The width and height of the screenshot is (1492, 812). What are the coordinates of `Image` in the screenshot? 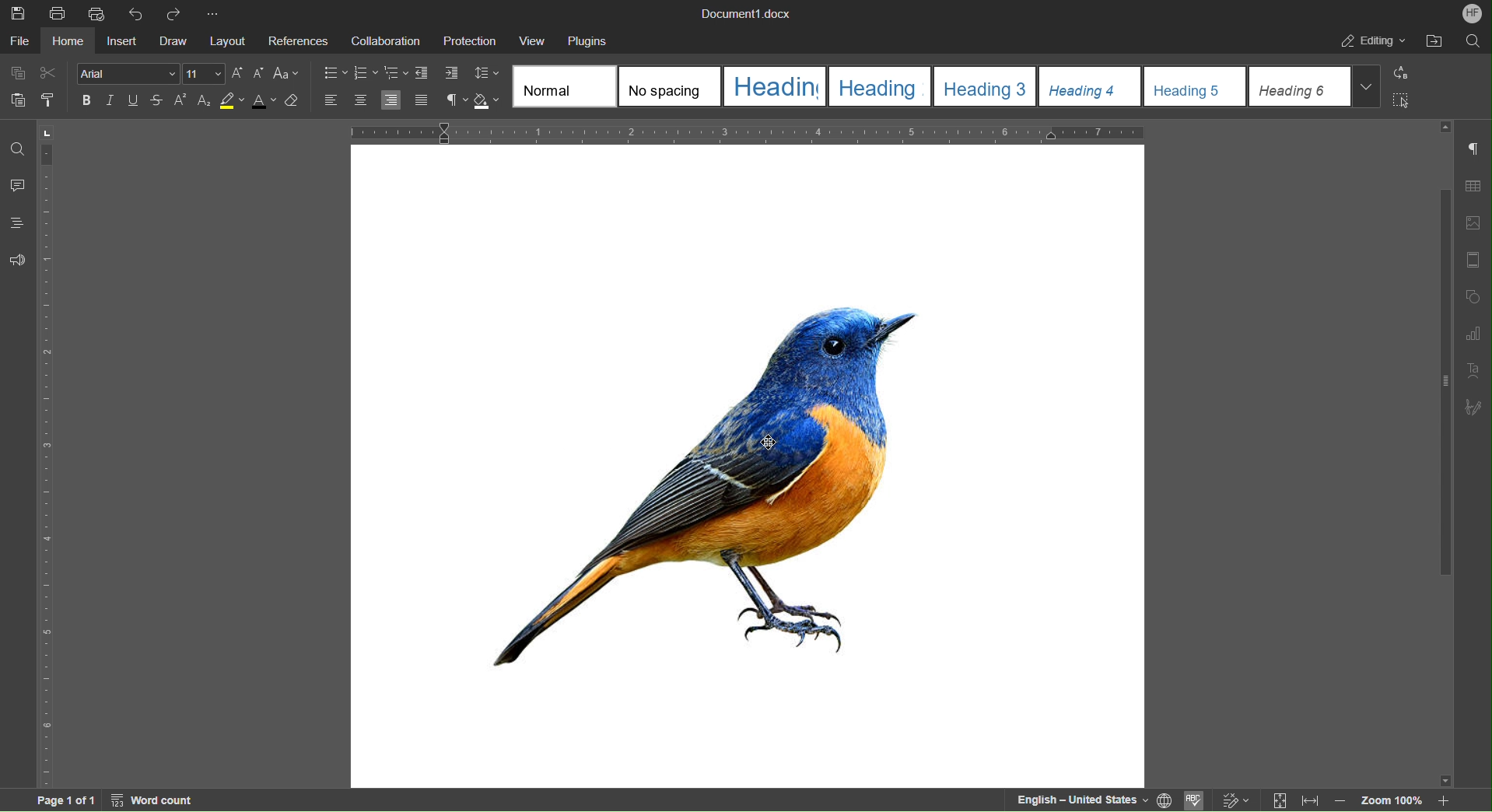 It's located at (705, 482).